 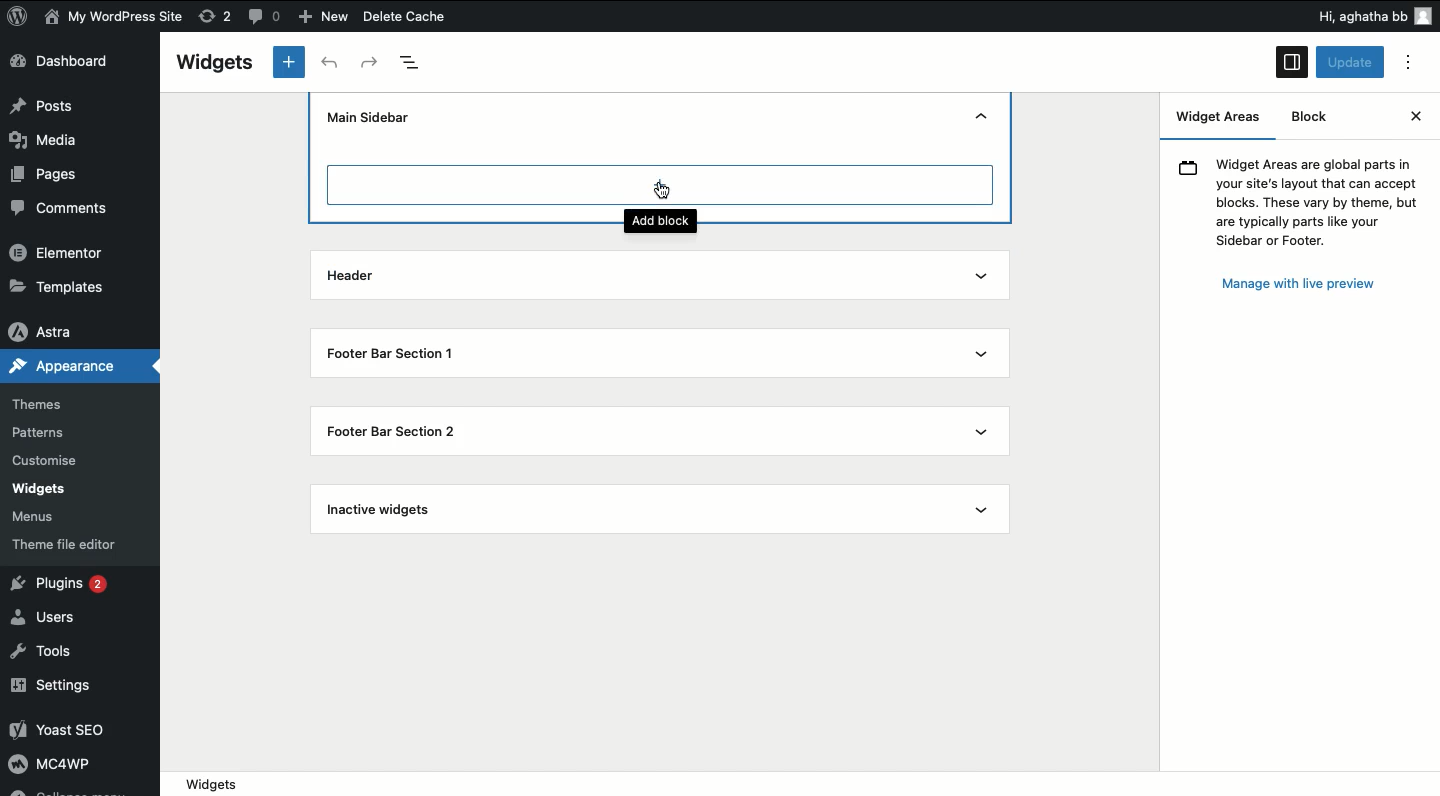 What do you see at coordinates (441, 14) in the screenshot?
I see `Delete Cache` at bounding box center [441, 14].